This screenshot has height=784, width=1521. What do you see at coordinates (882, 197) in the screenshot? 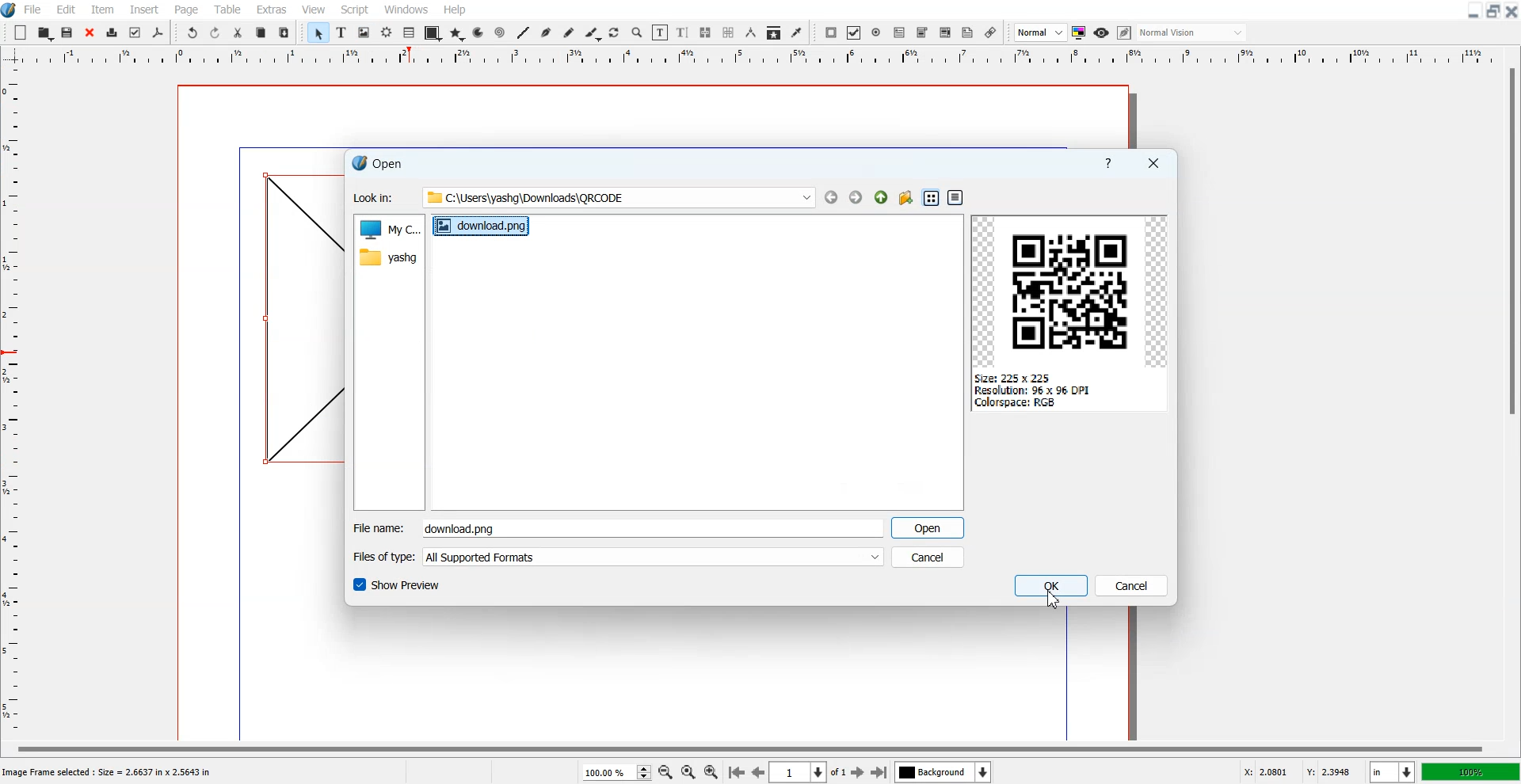
I see `Parent Directory` at bounding box center [882, 197].